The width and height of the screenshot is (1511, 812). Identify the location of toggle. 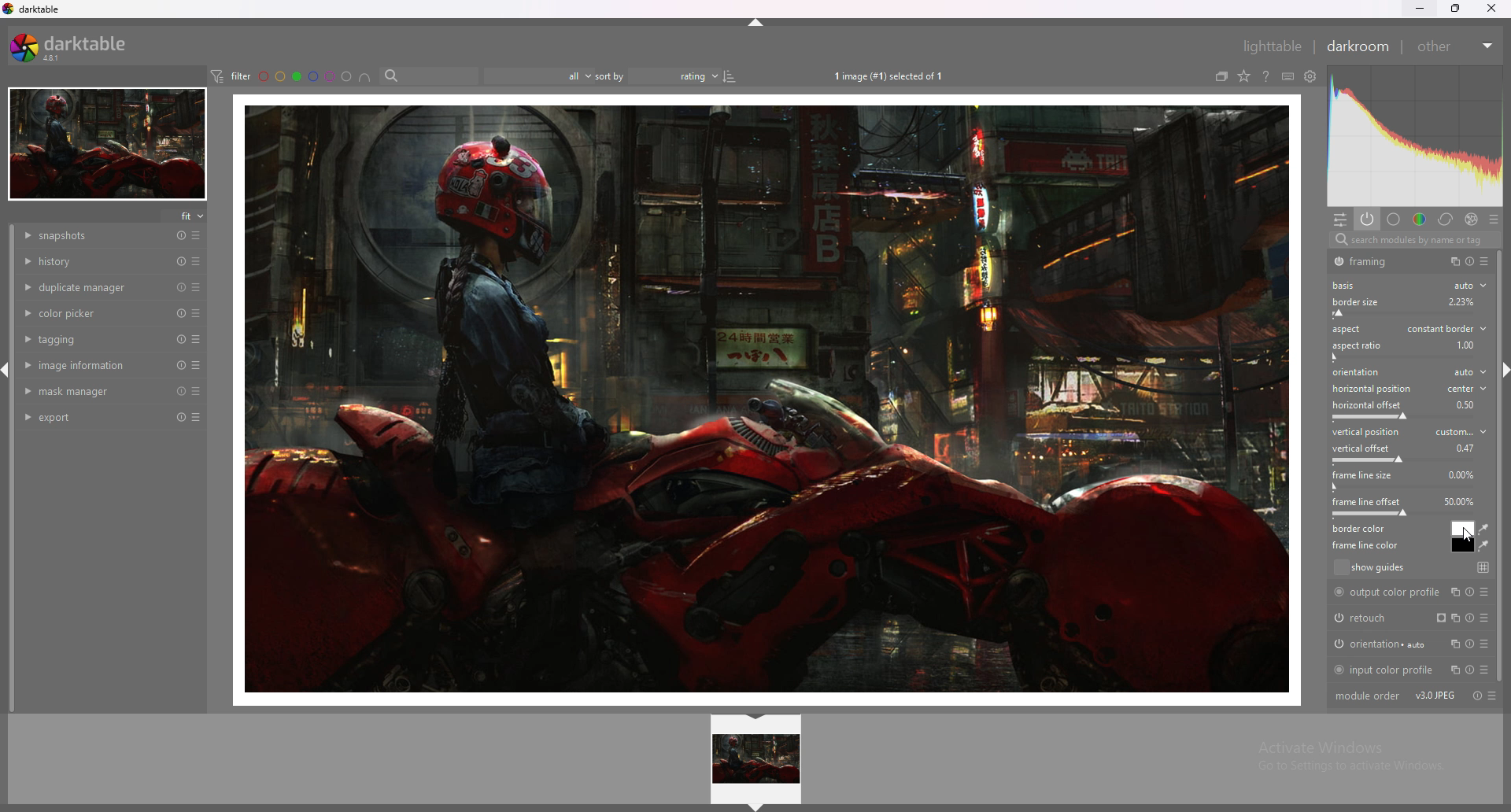
(1472, 262).